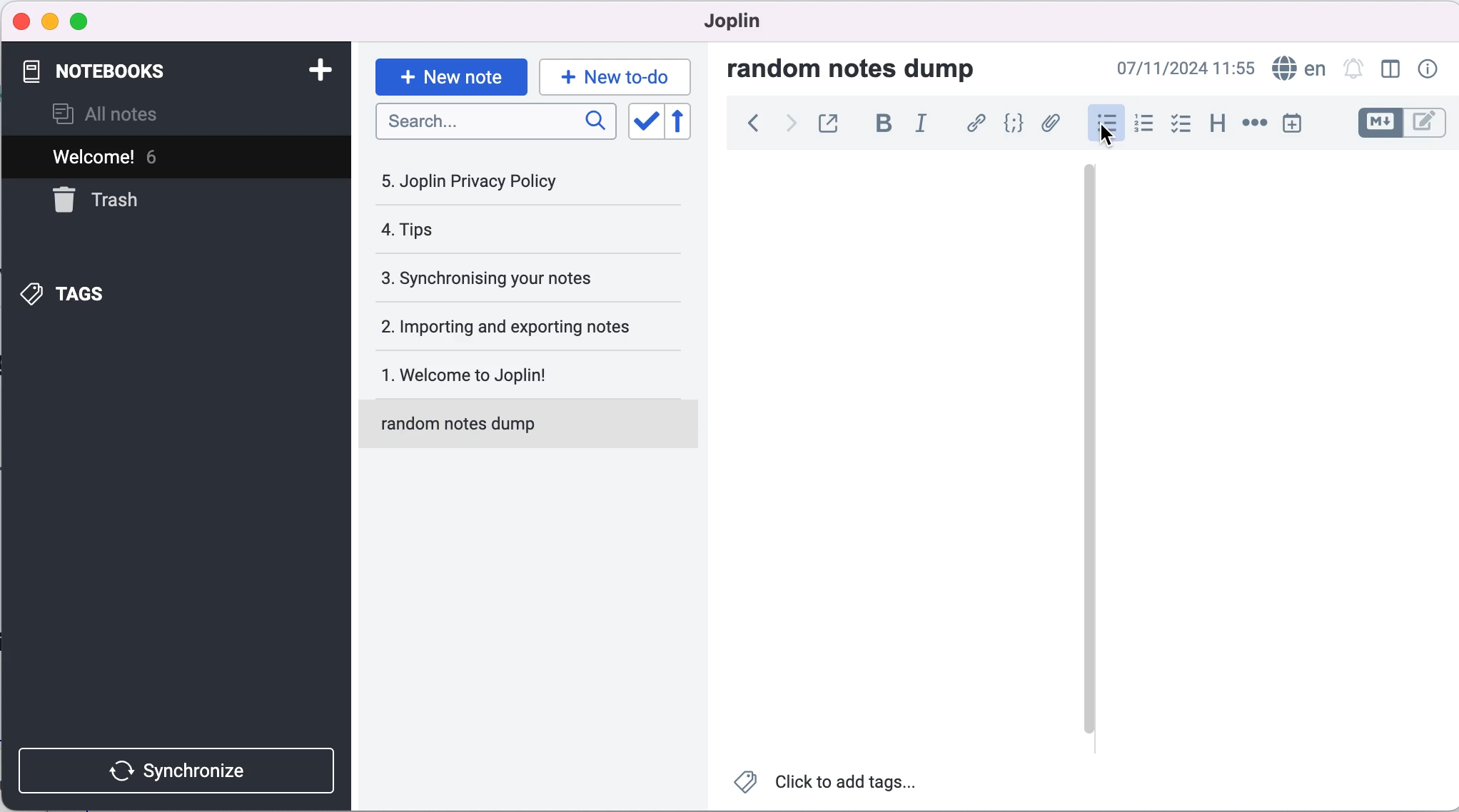 Image resolution: width=1459 pixels, height=812 pixels. I want to click on reverse sort order, so click(690, 122).